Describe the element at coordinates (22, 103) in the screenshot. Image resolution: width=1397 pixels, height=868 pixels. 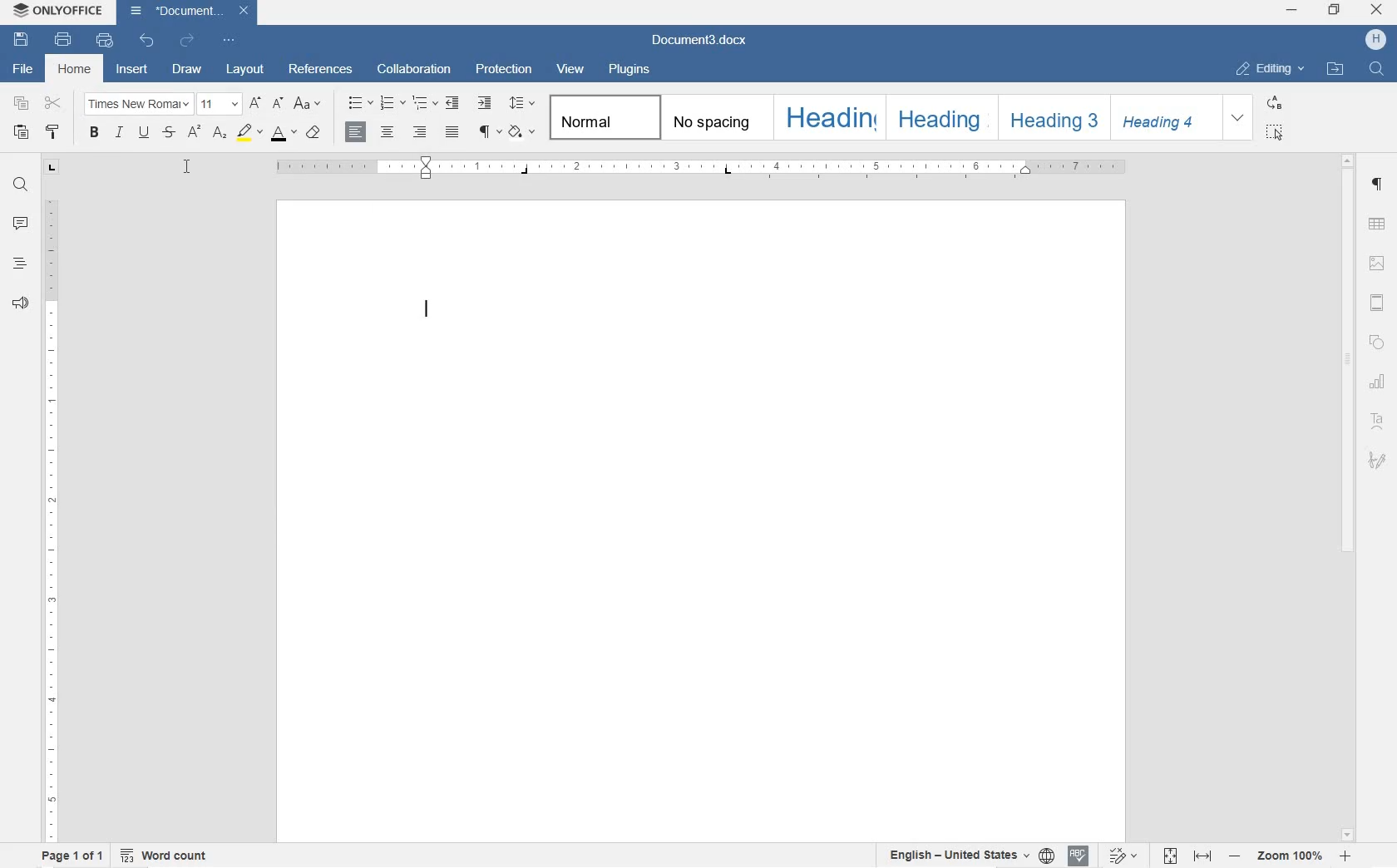
I see `COPY` at that location.